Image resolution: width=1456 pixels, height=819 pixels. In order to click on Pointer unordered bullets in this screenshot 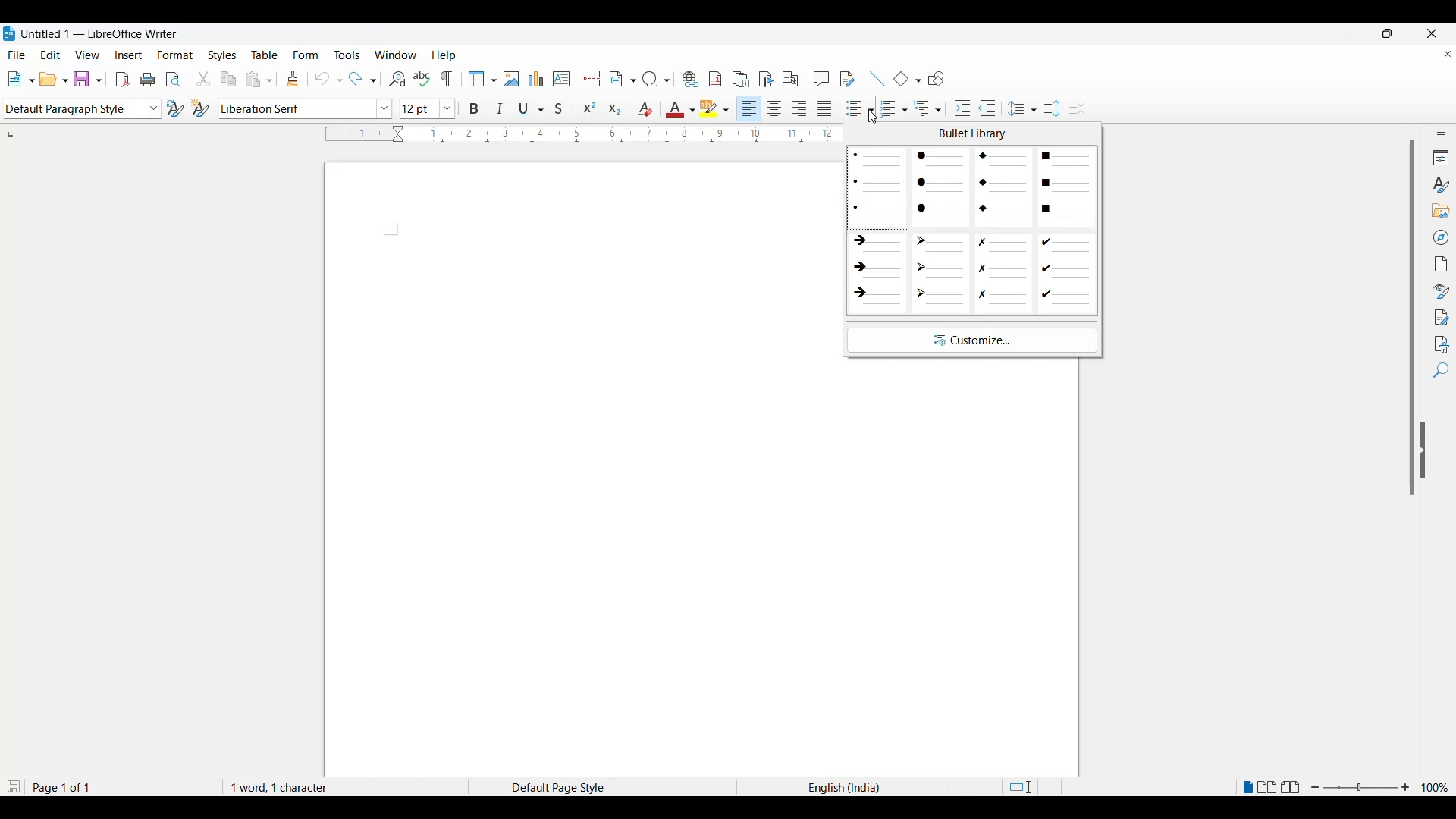, I will do `click(877, 187)`.